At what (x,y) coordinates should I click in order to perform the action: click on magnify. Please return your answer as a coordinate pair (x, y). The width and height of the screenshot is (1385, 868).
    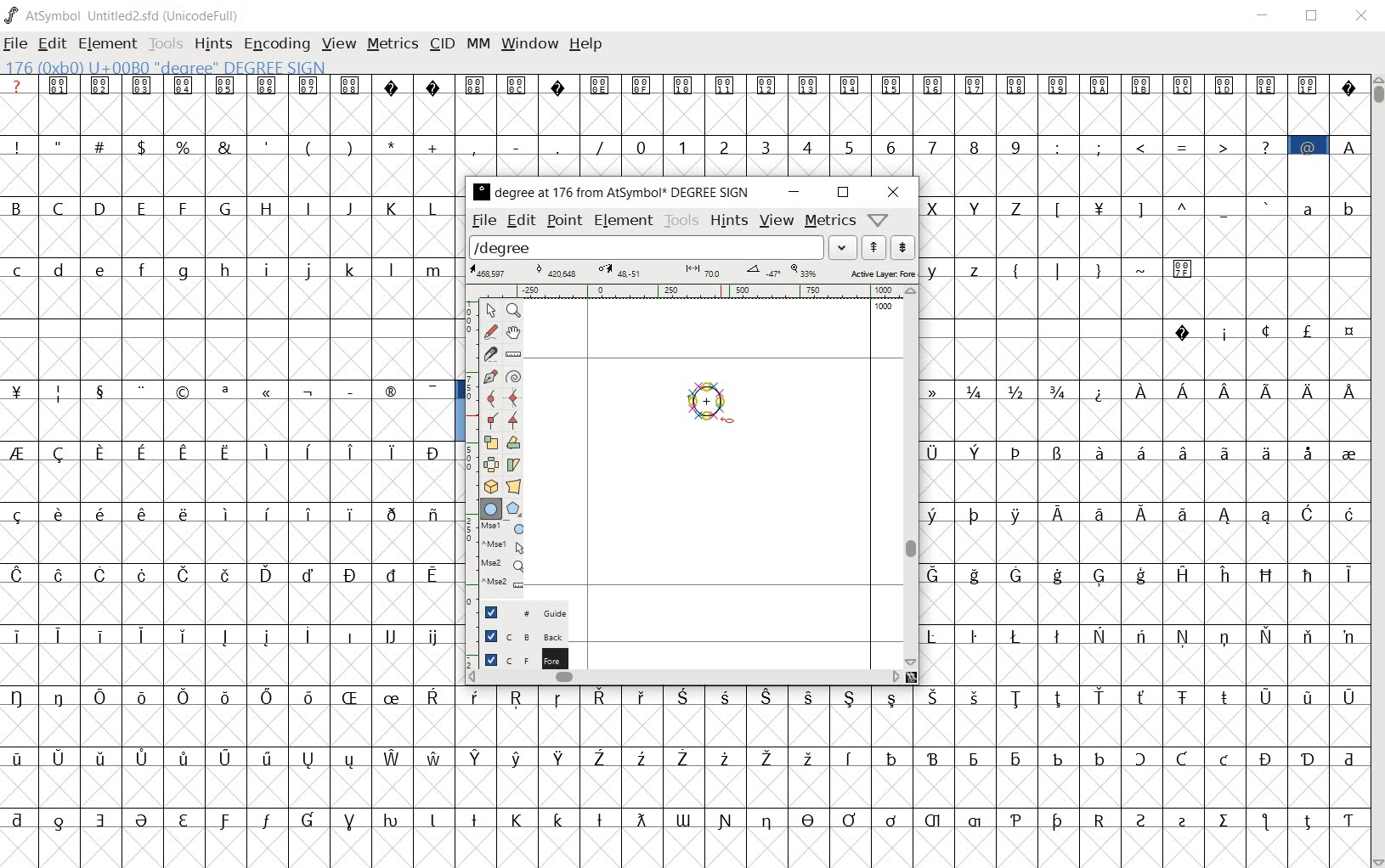
    Looking at the image, I should click on (512, 310).